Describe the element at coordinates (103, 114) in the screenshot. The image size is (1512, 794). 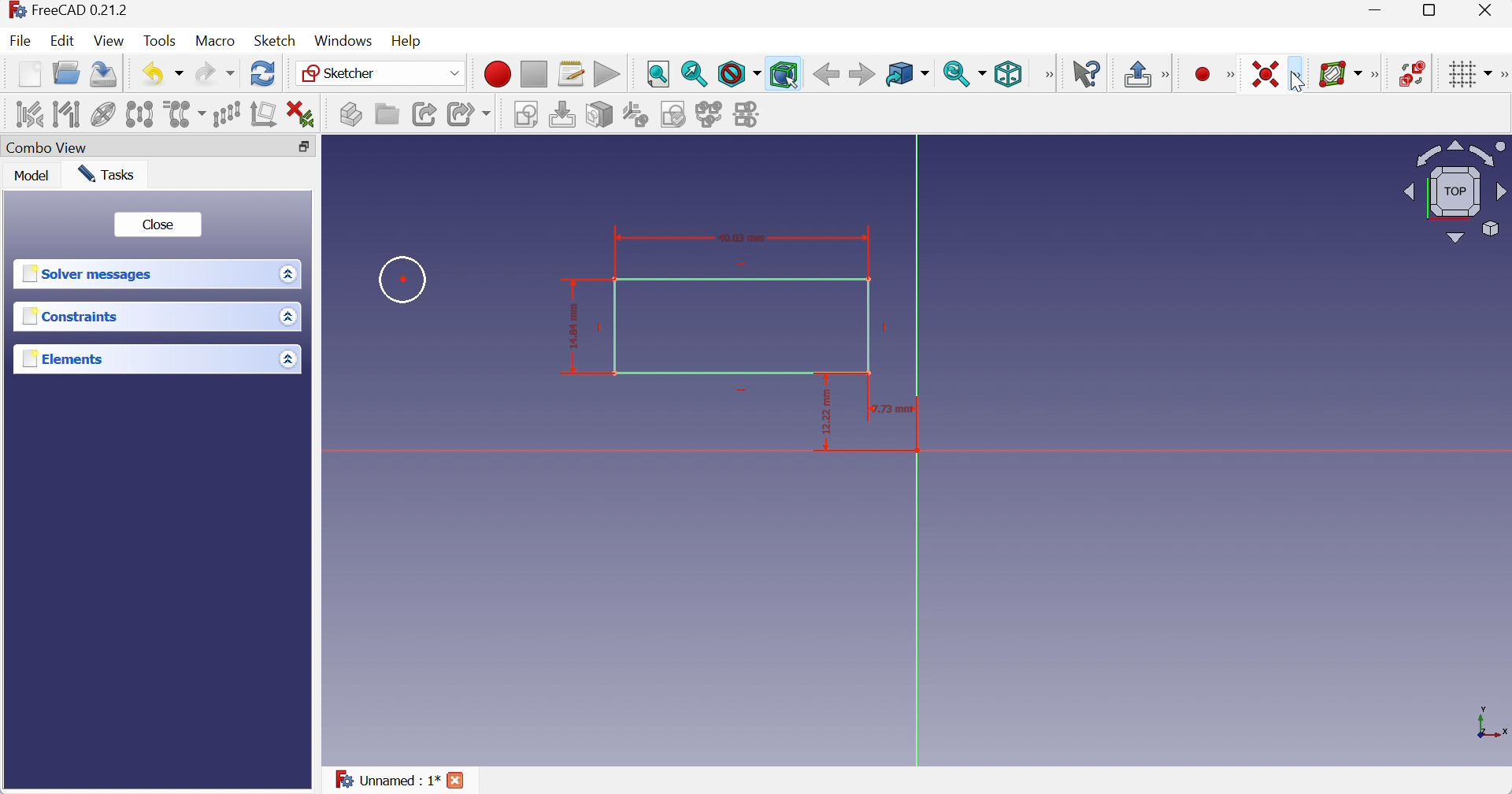
I see `Show/hide internal geometry` at that location.